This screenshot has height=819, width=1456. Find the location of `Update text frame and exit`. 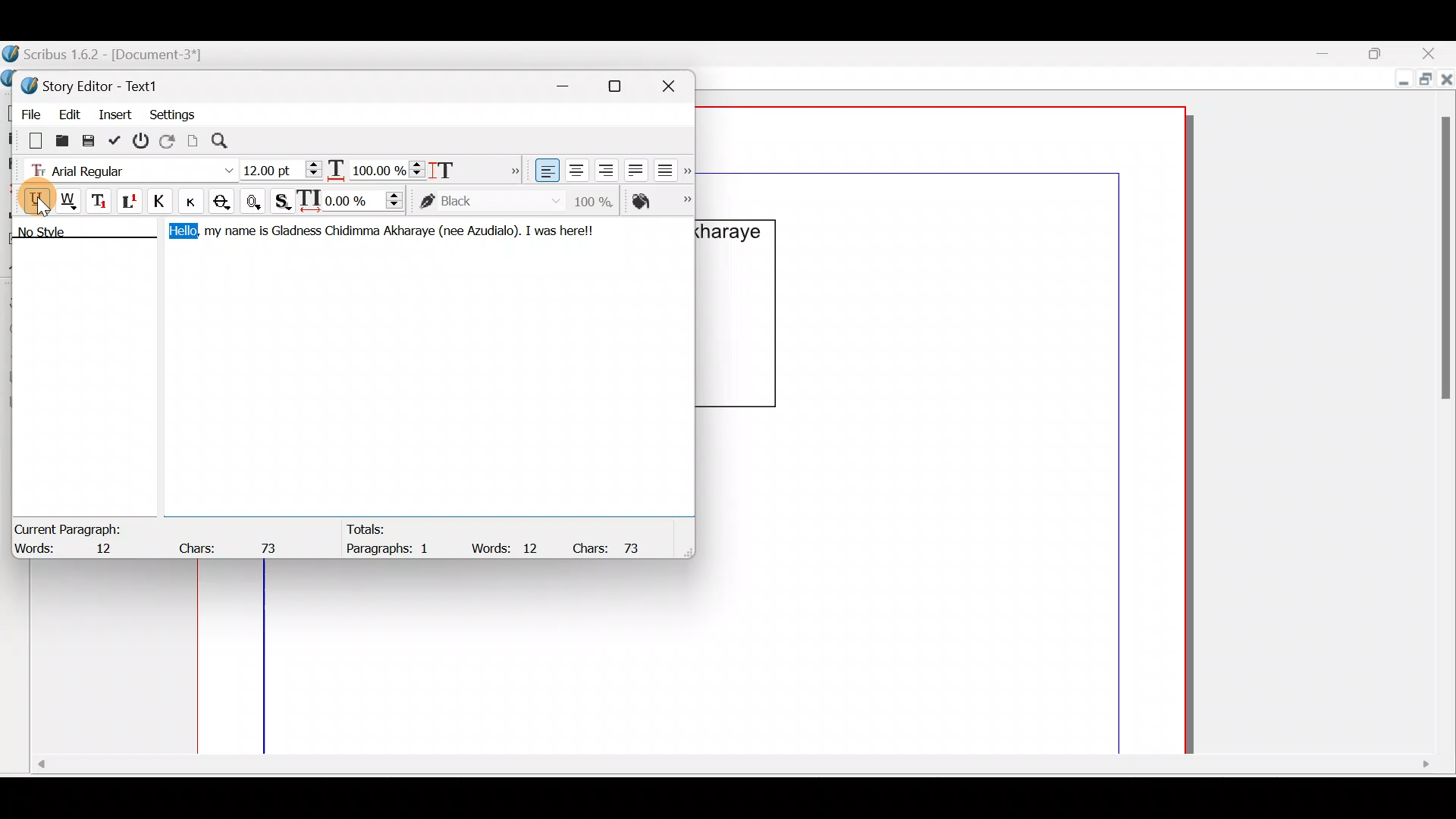

Update text frame and exit is located at coordinates (118, 138).